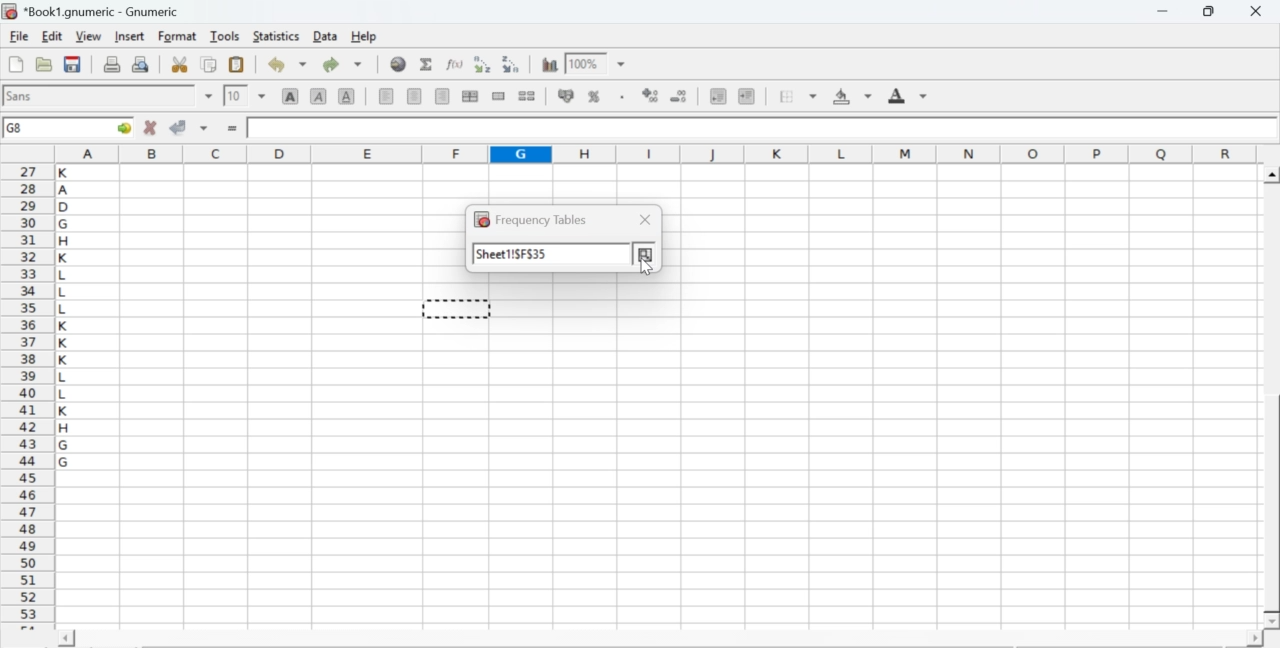 The height and width of the screenshot is (648, 1280). Describe the element at coordinates (52, 36) in the screenshot. I see `edit` at that location.